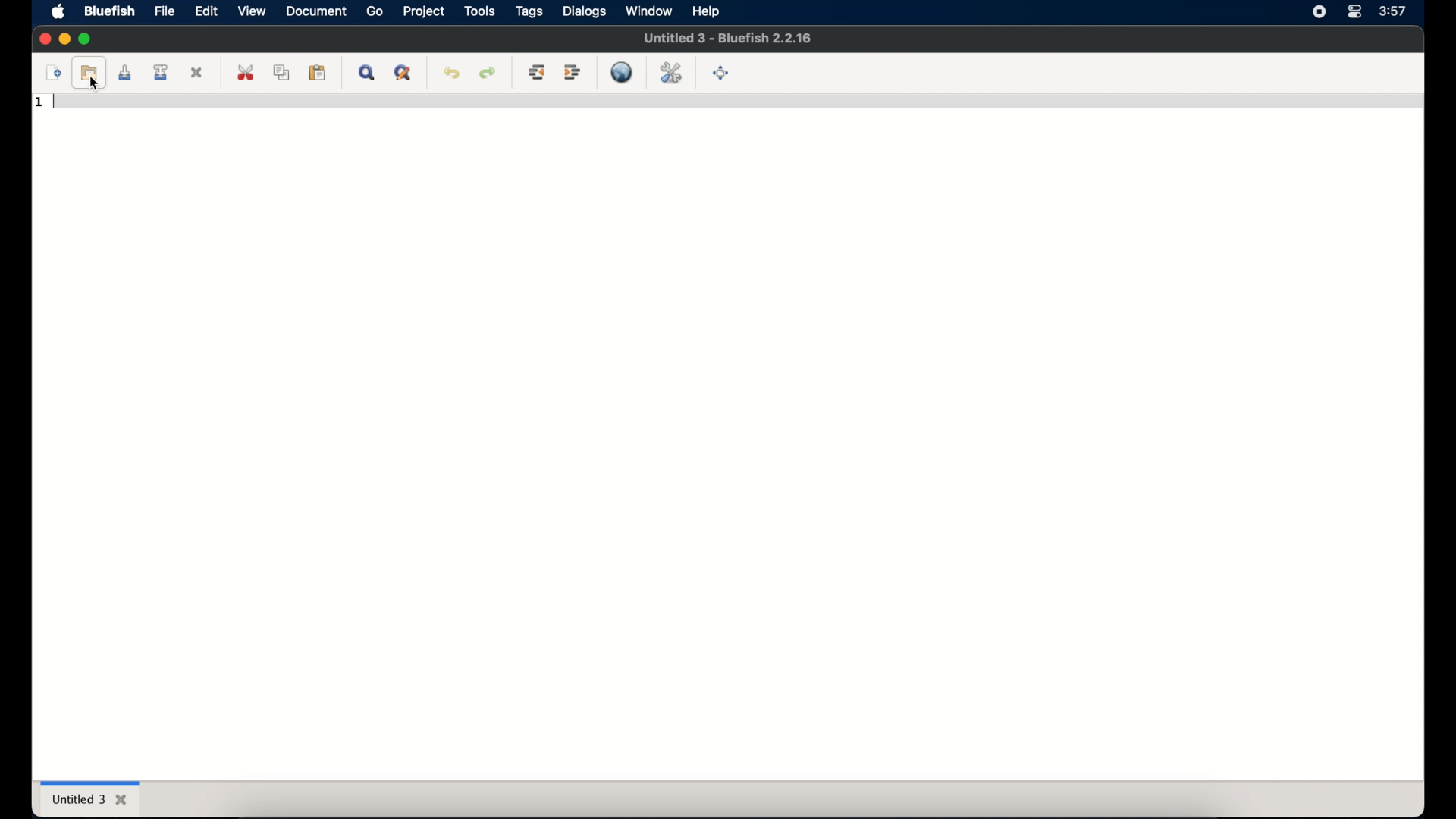  I want to click on maximize, so click(85, 38).